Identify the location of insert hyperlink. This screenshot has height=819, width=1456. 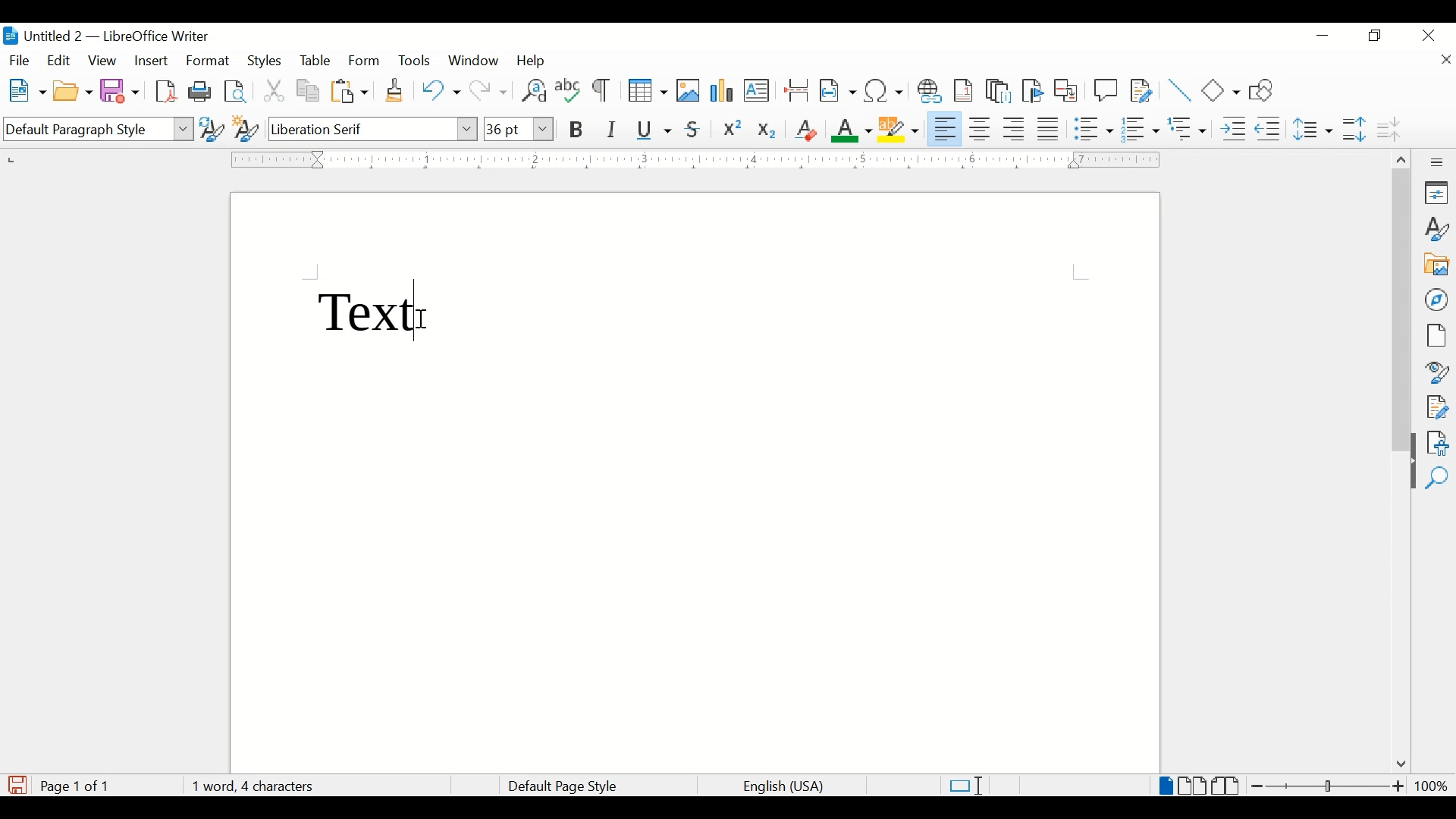
(930, 91).